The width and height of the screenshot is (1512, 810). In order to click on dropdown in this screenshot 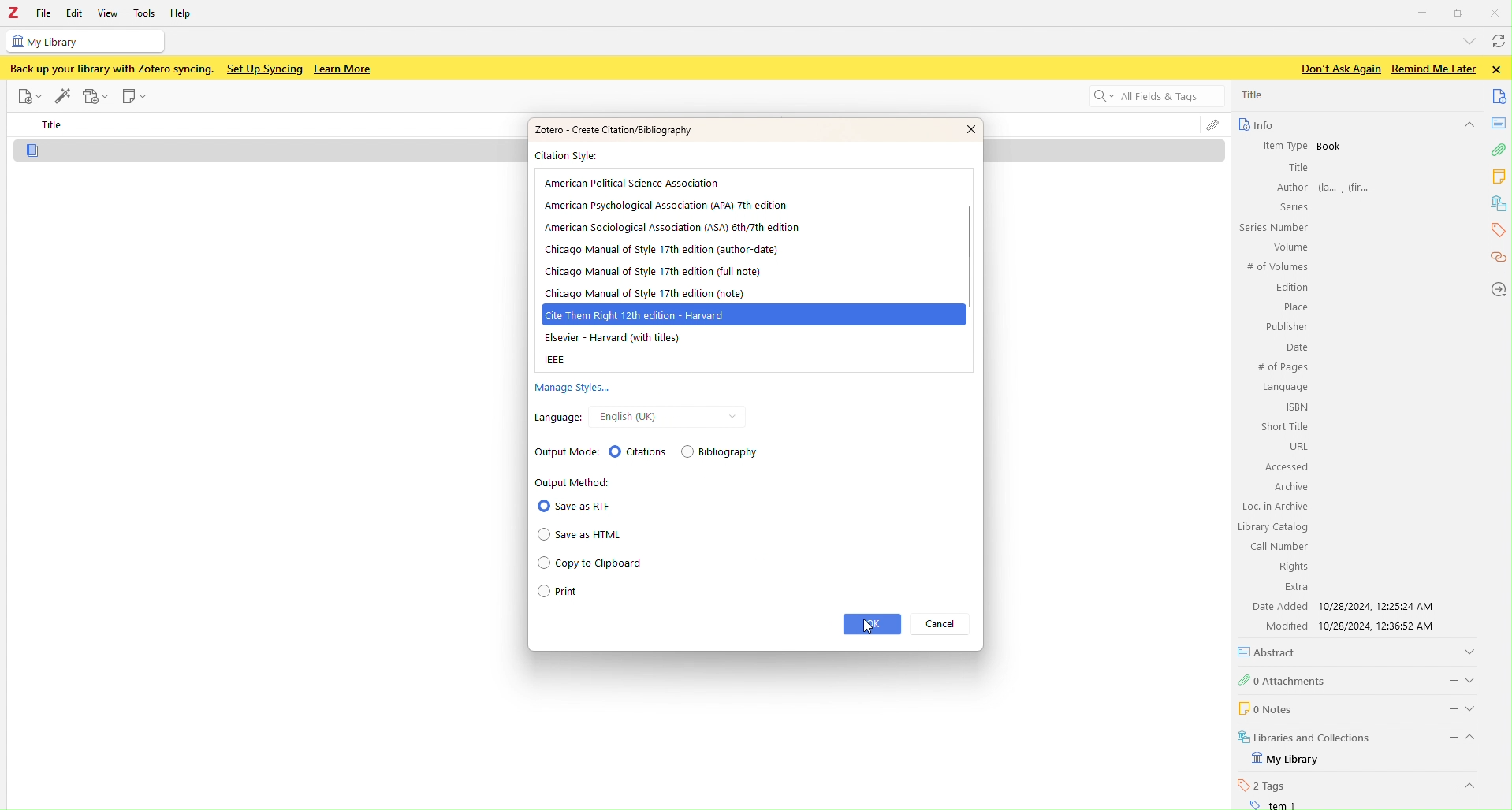, I will do `click(1466, 40)`.